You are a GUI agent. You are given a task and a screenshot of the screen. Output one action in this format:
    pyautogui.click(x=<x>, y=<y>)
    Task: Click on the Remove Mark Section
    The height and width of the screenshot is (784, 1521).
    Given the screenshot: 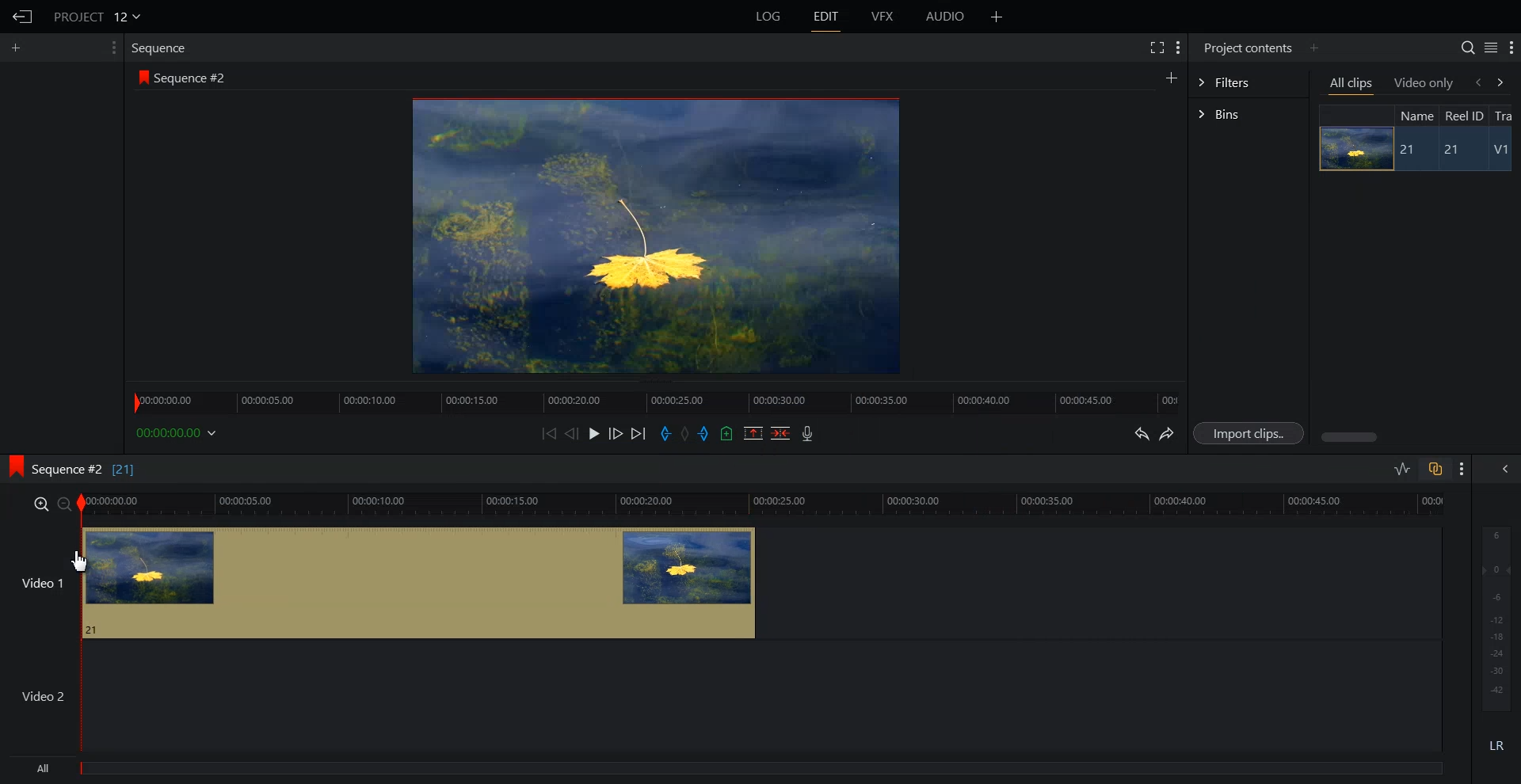 What is the action you would take?
    pyautogui.click(x=753, y=433)
    